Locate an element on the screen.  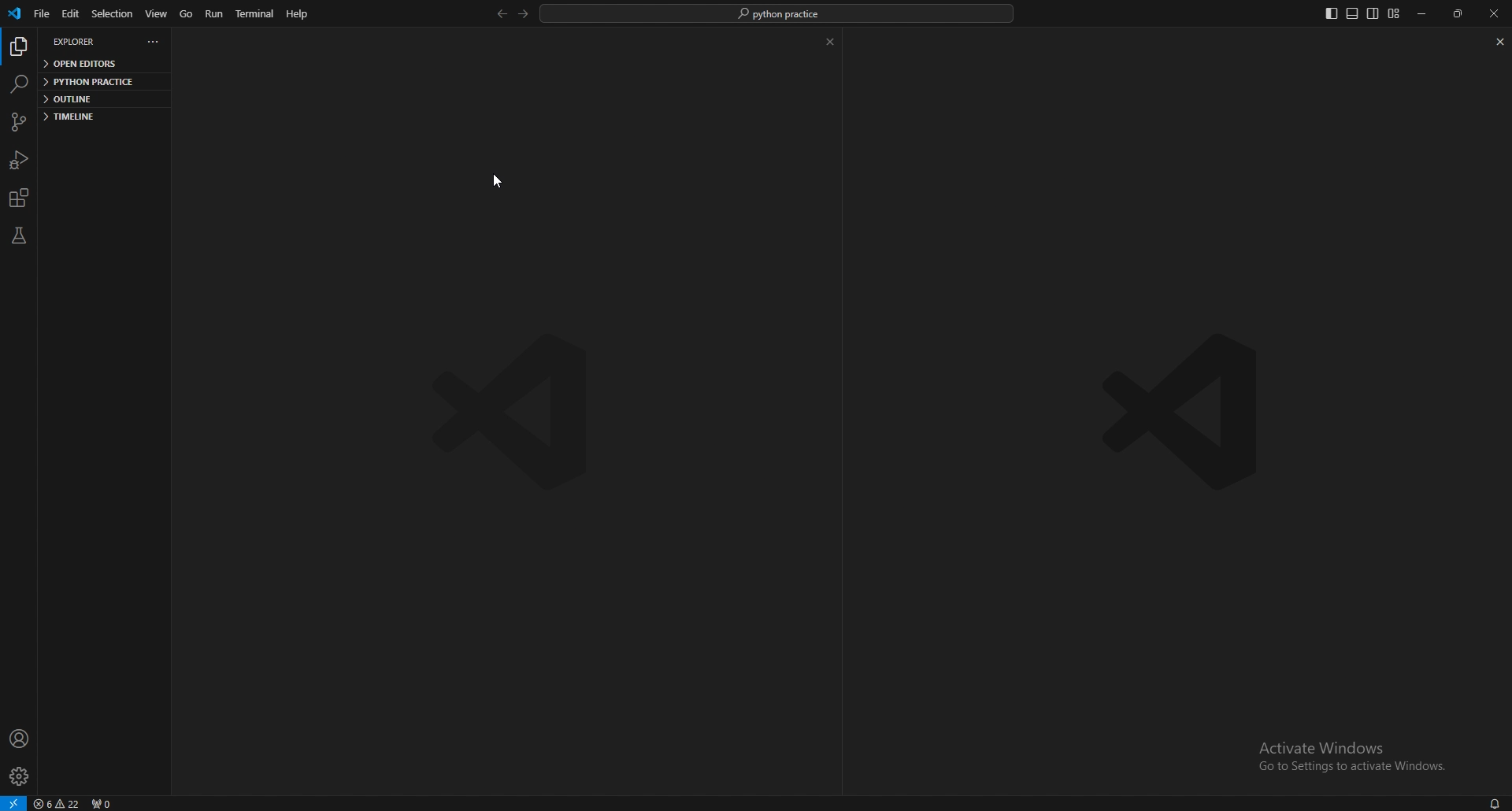
selection is located at coordinates (112, 13).